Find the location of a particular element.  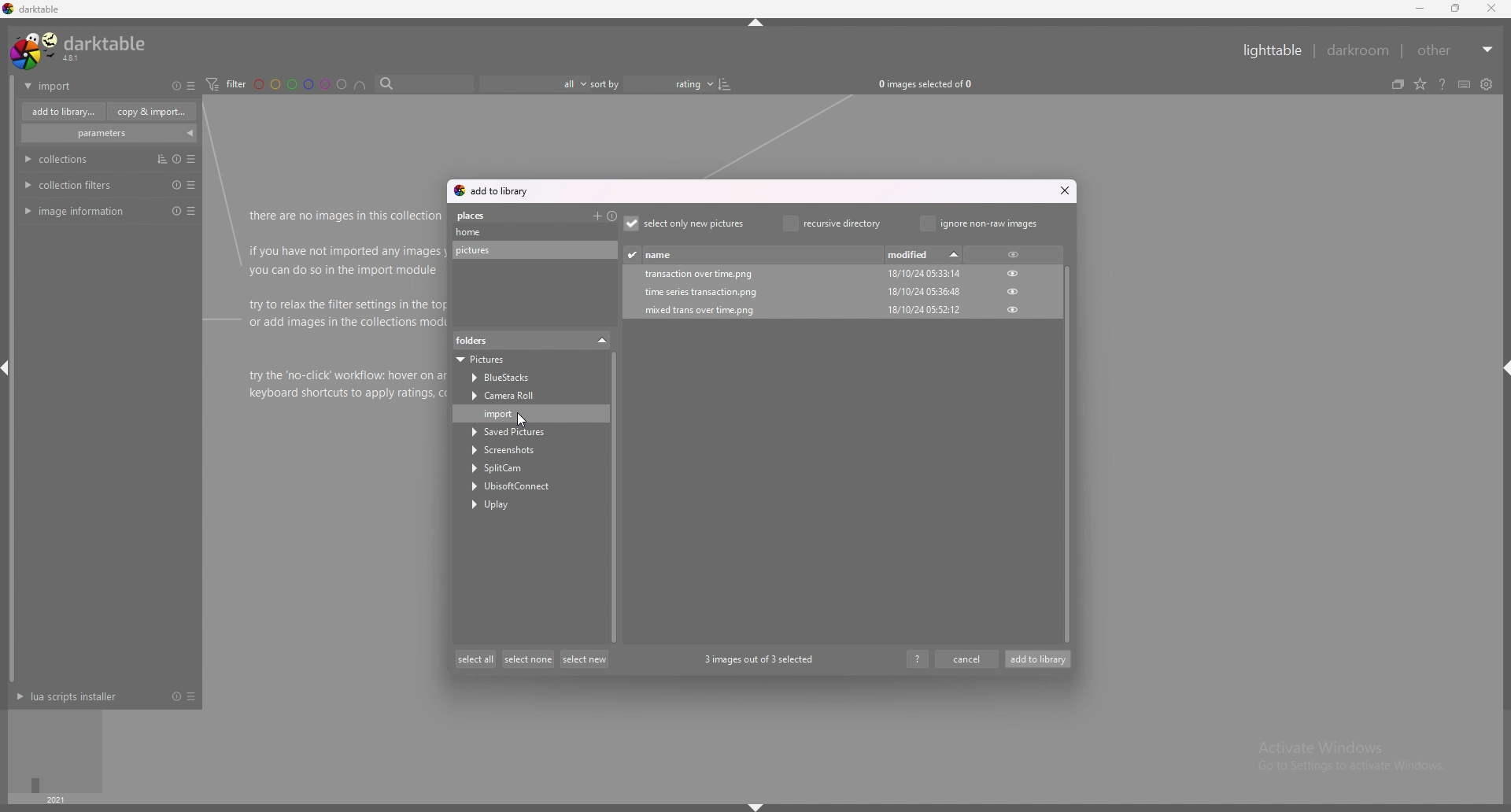

reset is located at coordinates (174, 159).